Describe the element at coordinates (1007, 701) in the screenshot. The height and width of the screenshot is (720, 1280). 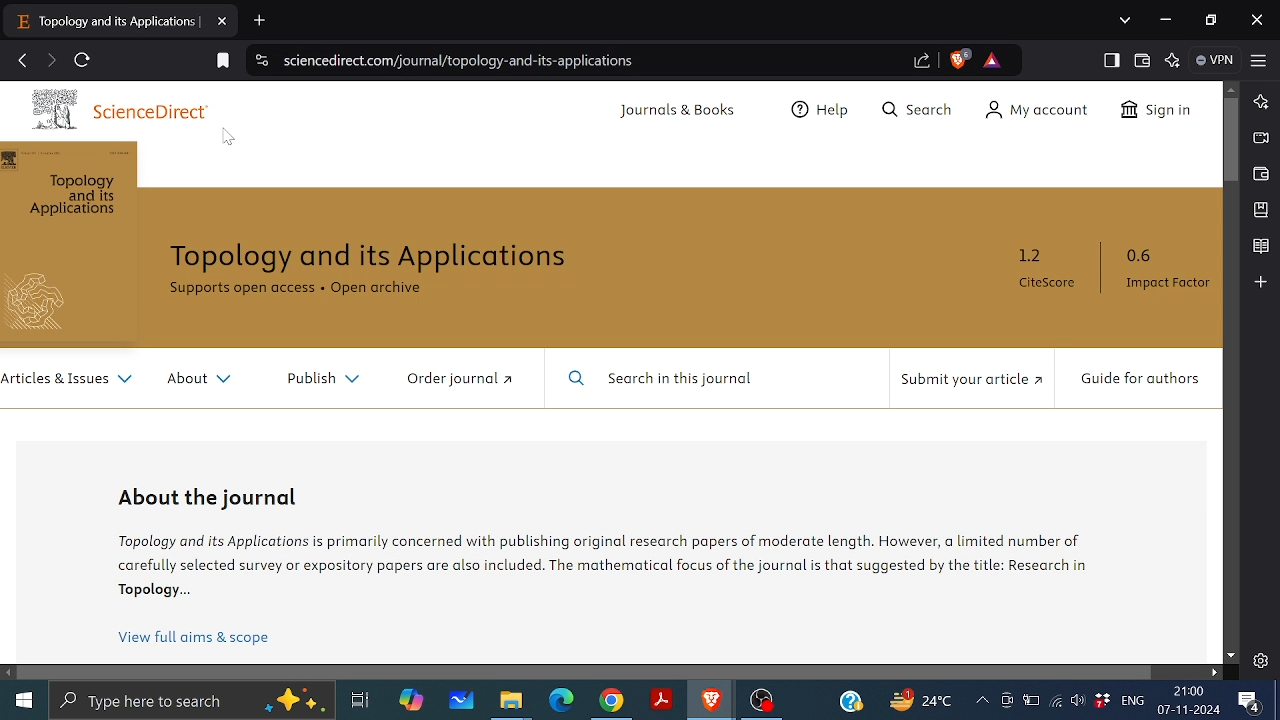
I see `` at that location.